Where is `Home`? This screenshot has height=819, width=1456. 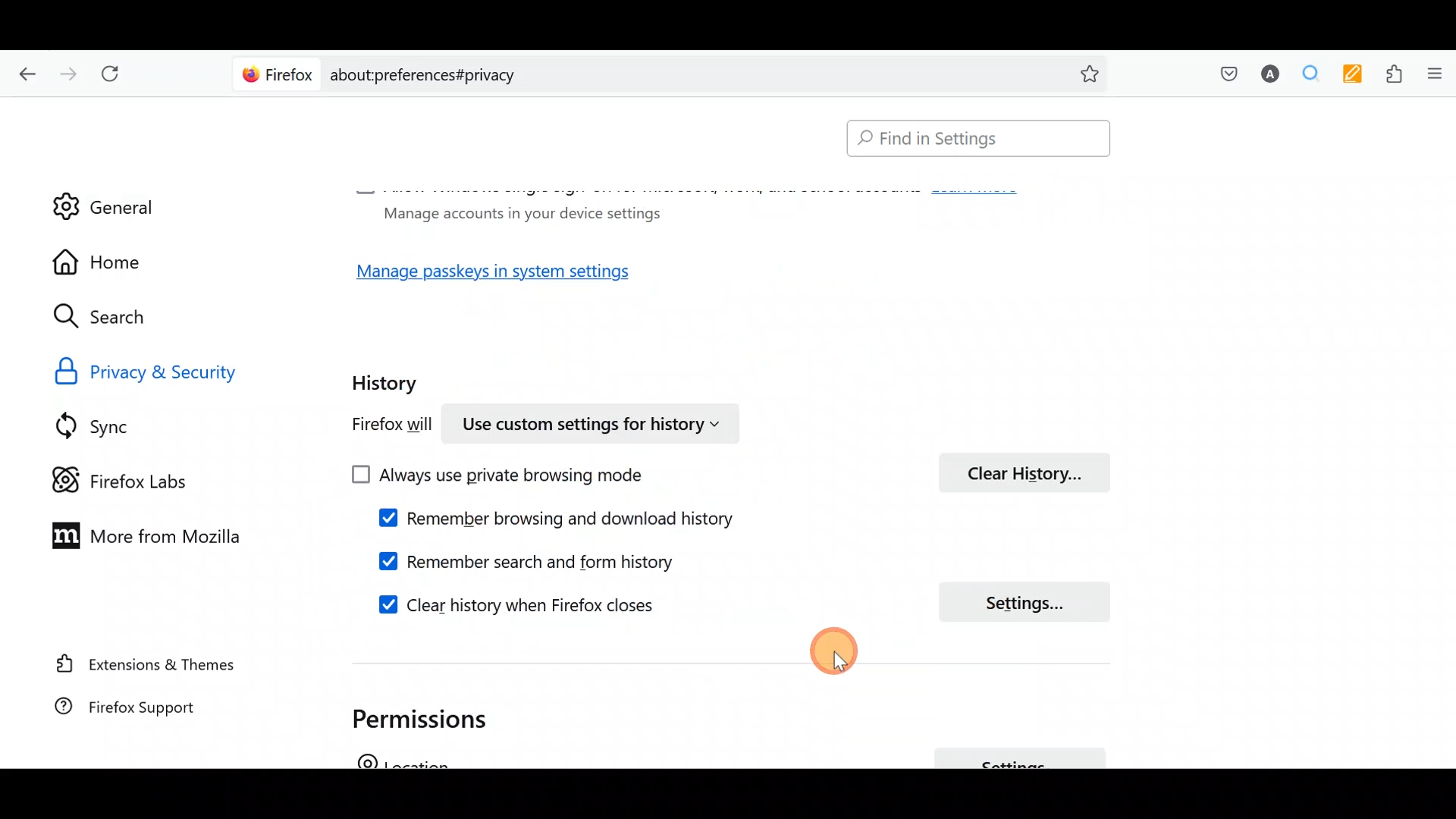 Home is located at coordinates (112, 262).